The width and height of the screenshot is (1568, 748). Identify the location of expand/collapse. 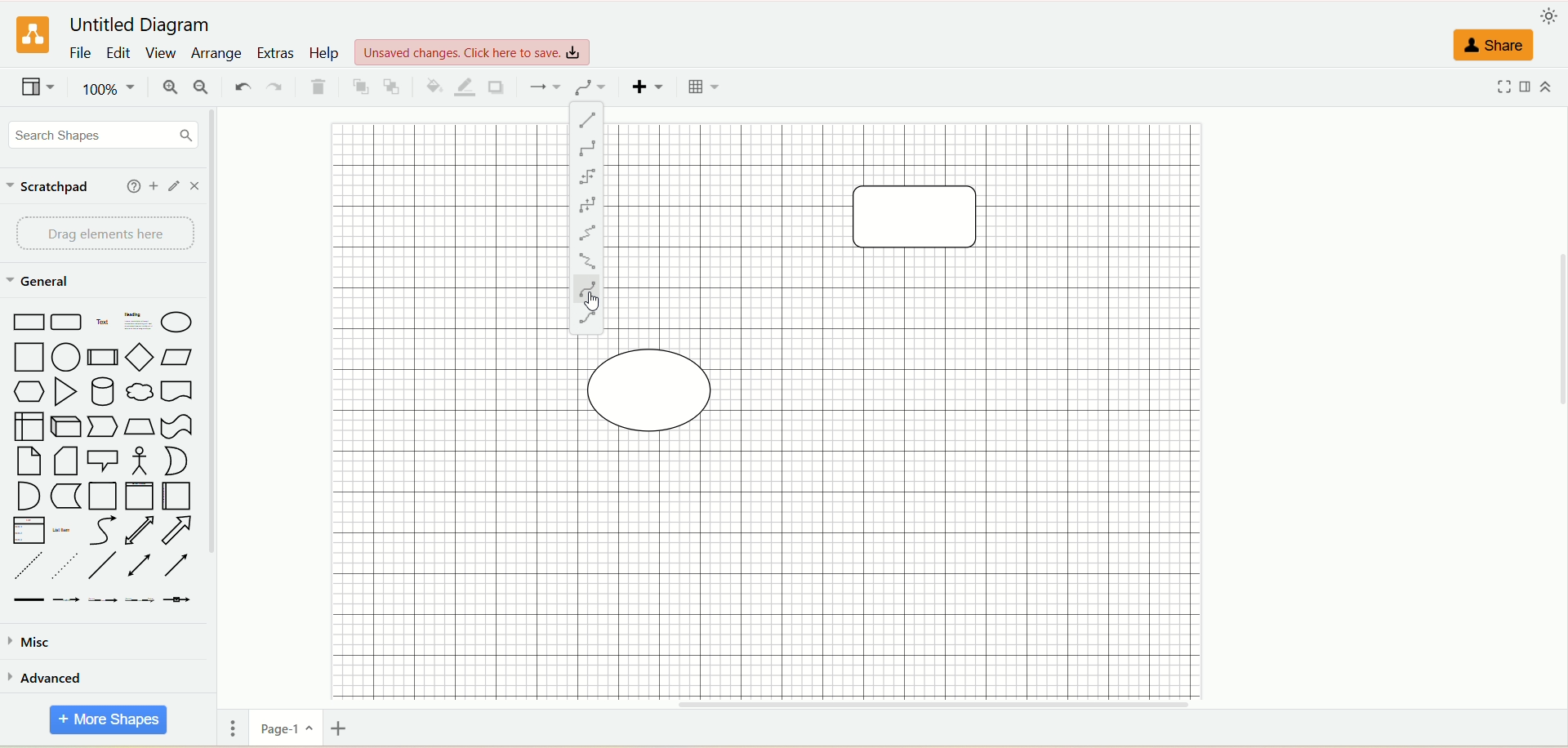
(1552, 86).